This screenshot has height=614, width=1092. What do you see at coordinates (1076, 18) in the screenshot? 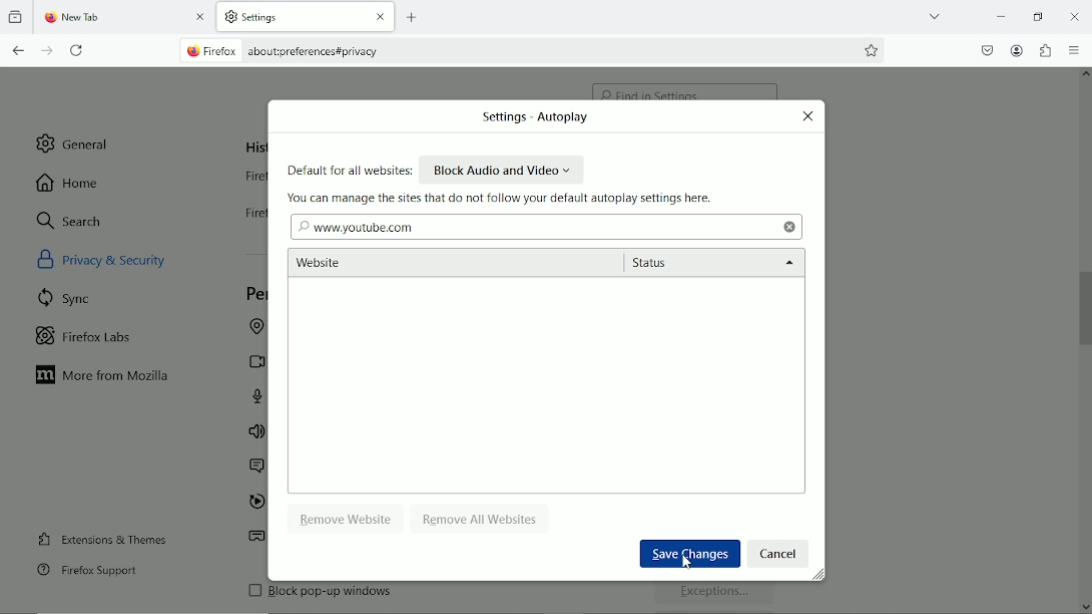
I see `Close` at bounding box center [1076, 18].